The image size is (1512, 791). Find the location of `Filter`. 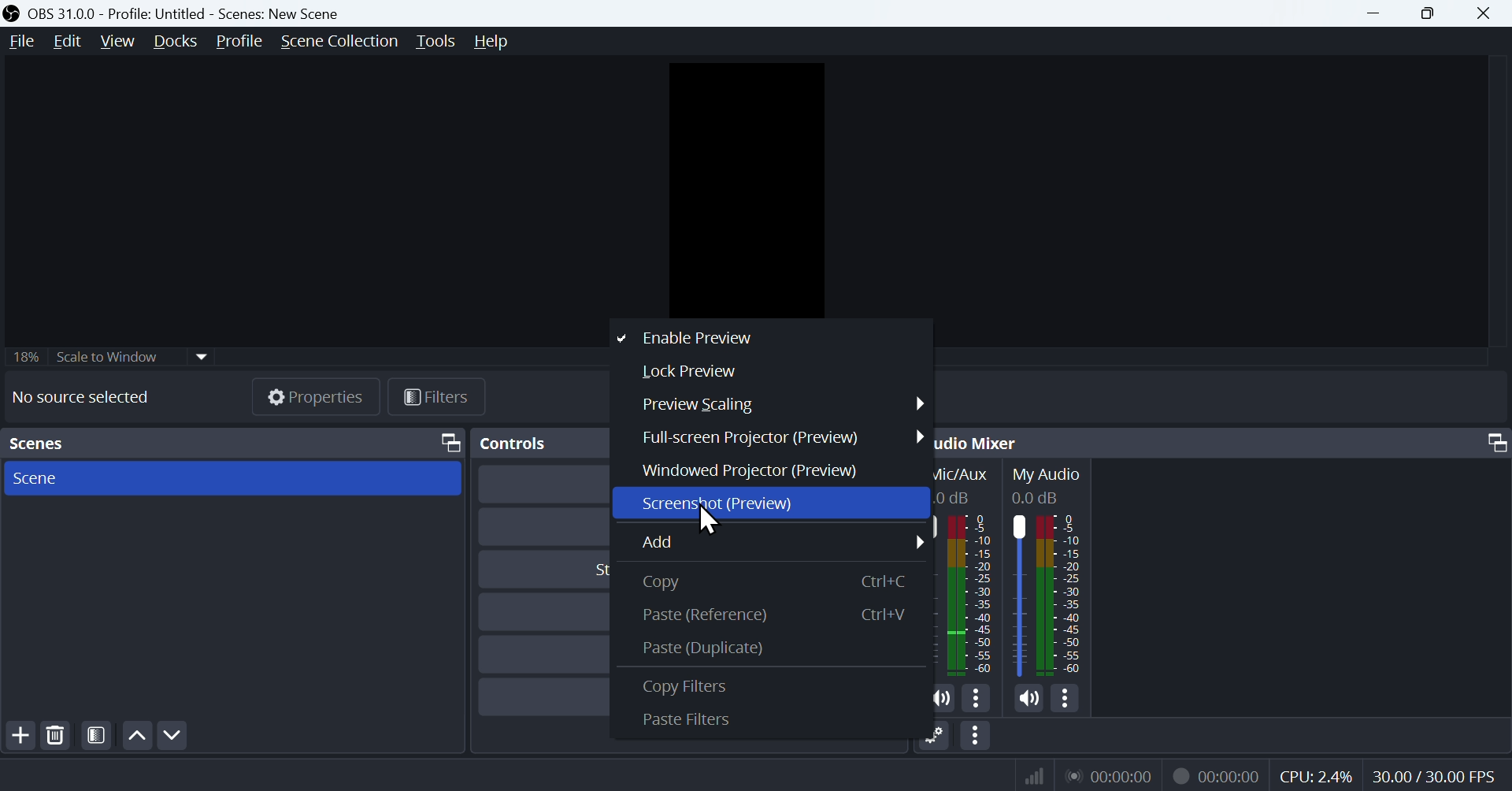

Filter is located at coordinates (440, 395).